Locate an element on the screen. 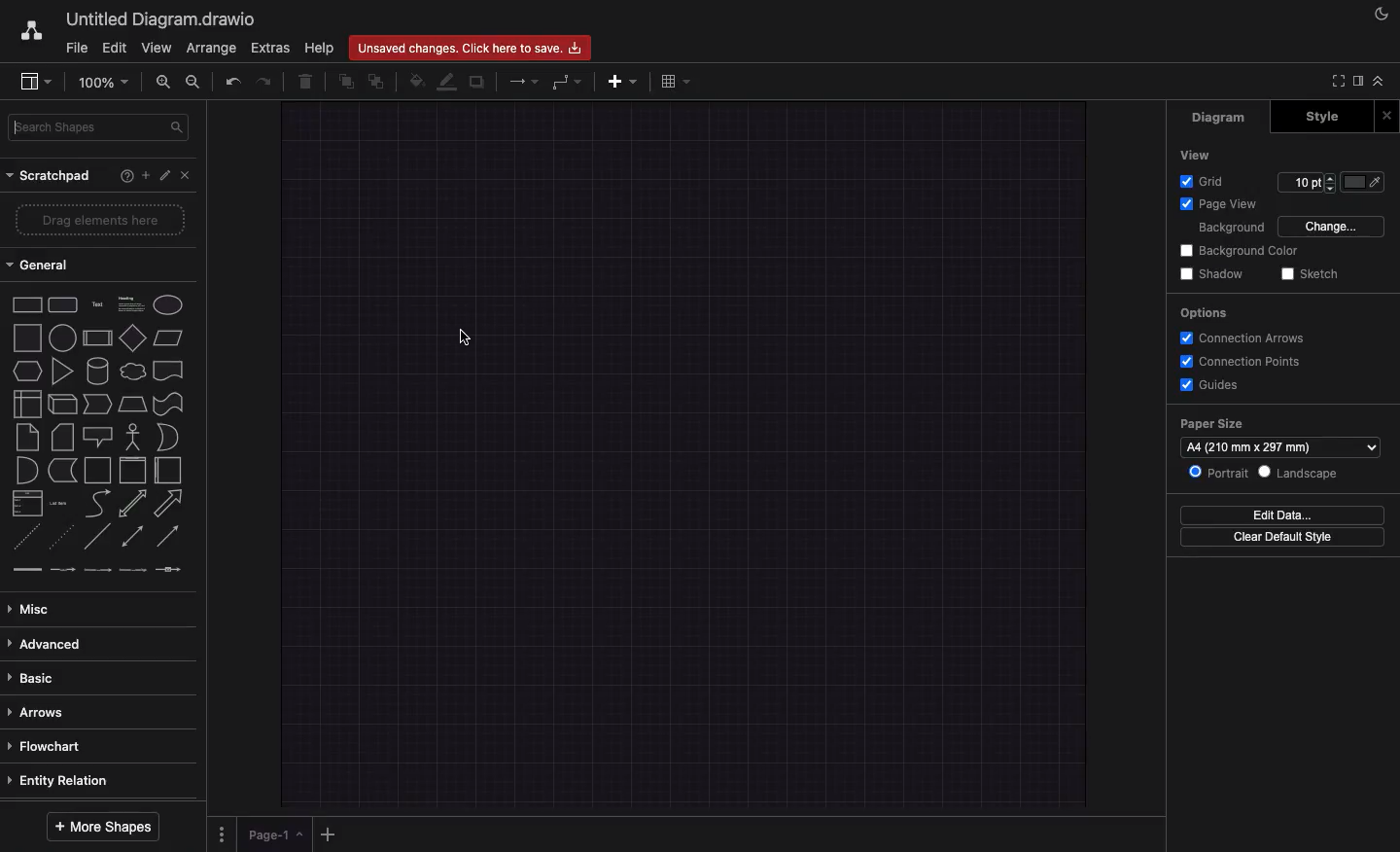 The image size is (1400, 852). Portrait is located at coordinates (1217, 471).